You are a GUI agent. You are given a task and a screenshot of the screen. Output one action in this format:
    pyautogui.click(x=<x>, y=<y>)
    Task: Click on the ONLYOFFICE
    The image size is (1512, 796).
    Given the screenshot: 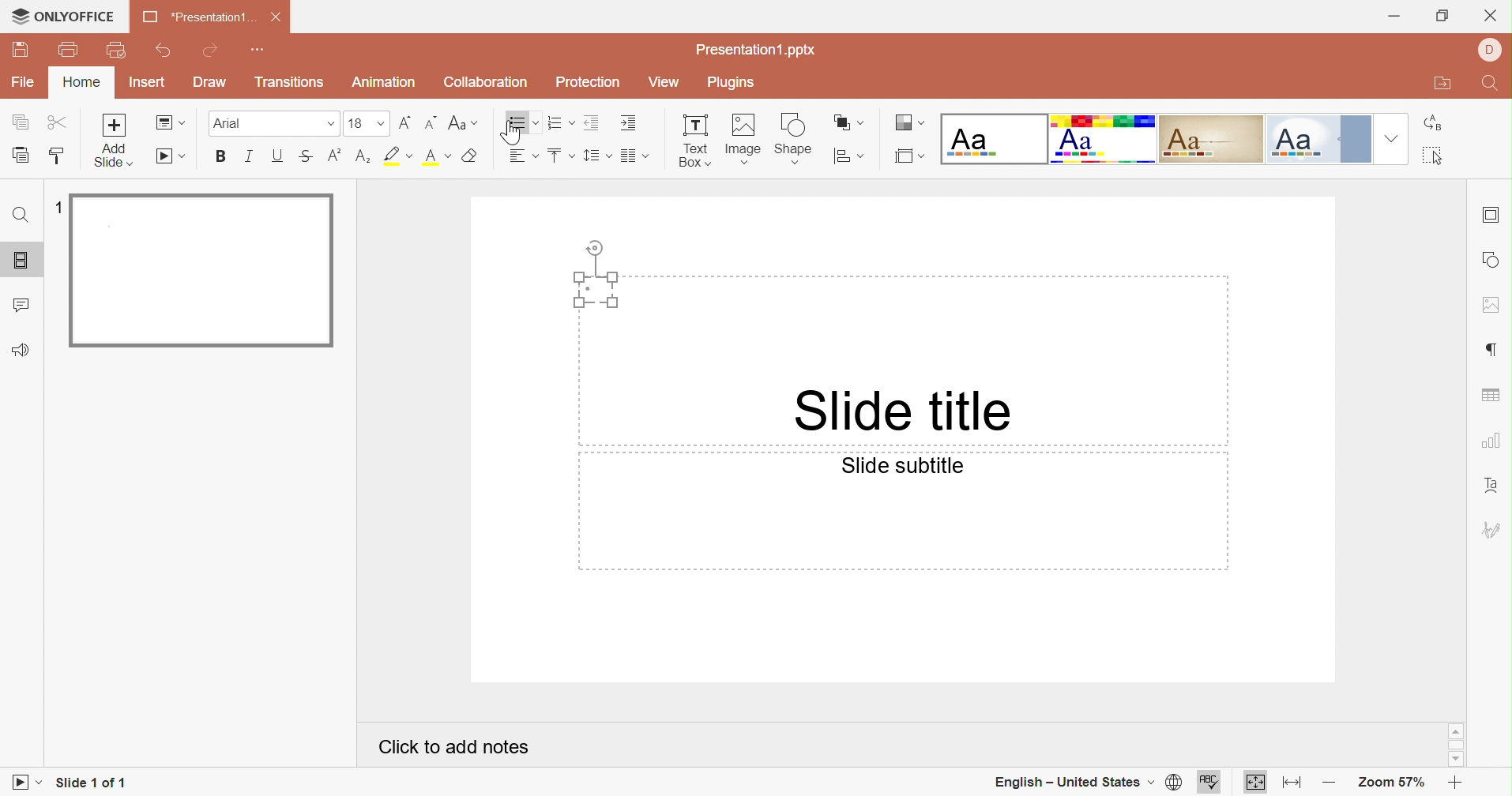 What is the action you would take?
    pyautogui.click(x=74, y=17)
    